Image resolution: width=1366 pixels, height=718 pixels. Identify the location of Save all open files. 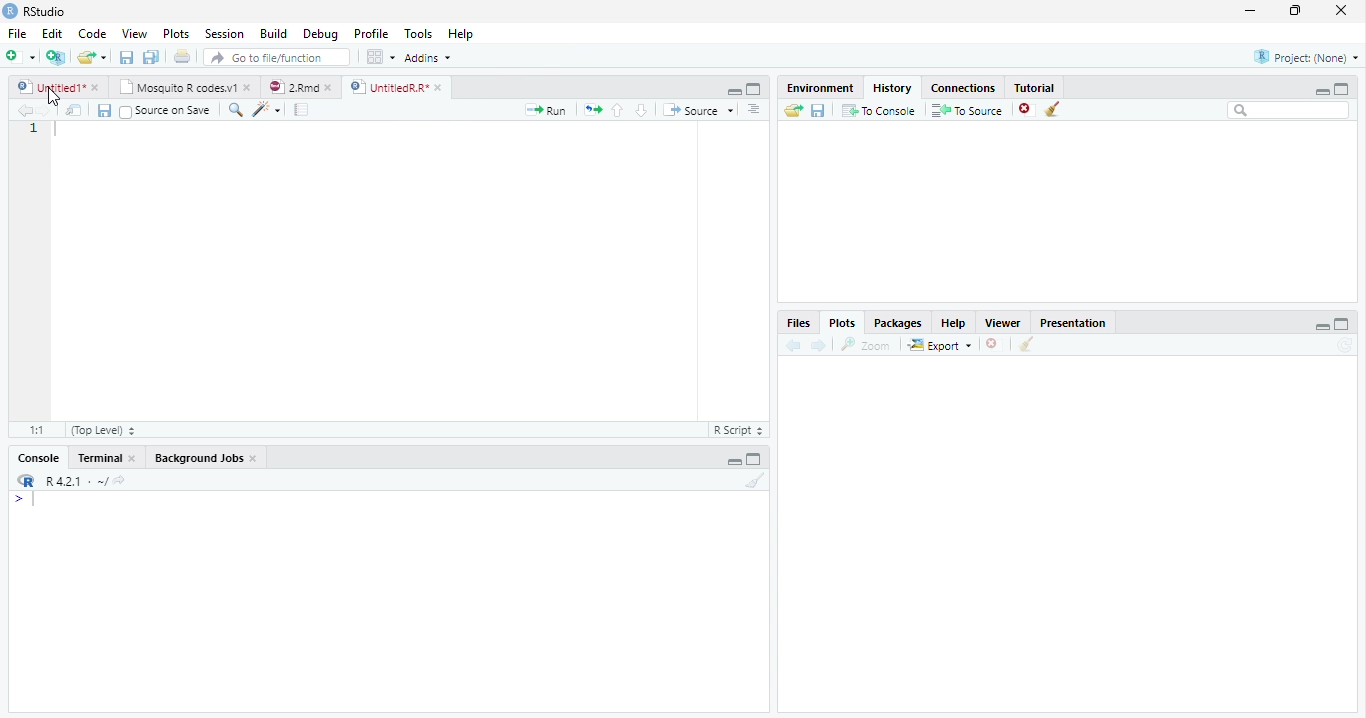
(152, 57).